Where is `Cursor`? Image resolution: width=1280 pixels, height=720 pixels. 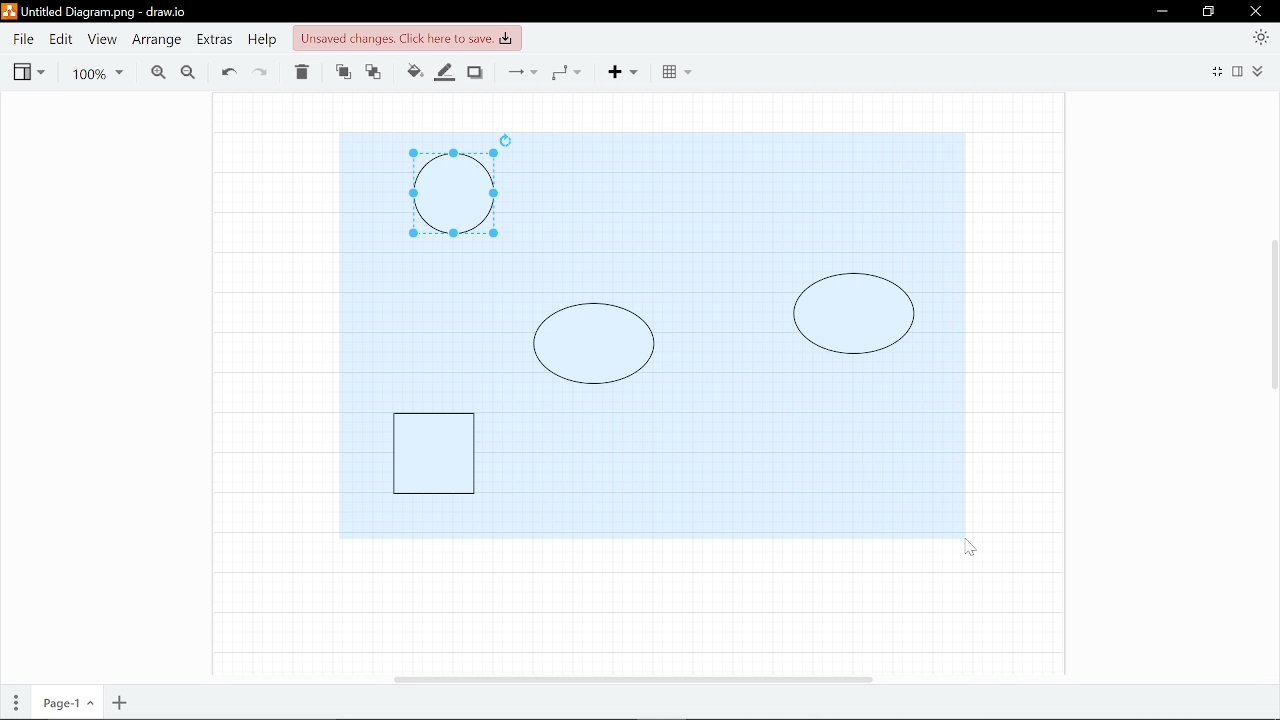 Cursor is located at coordinates (969, 548).